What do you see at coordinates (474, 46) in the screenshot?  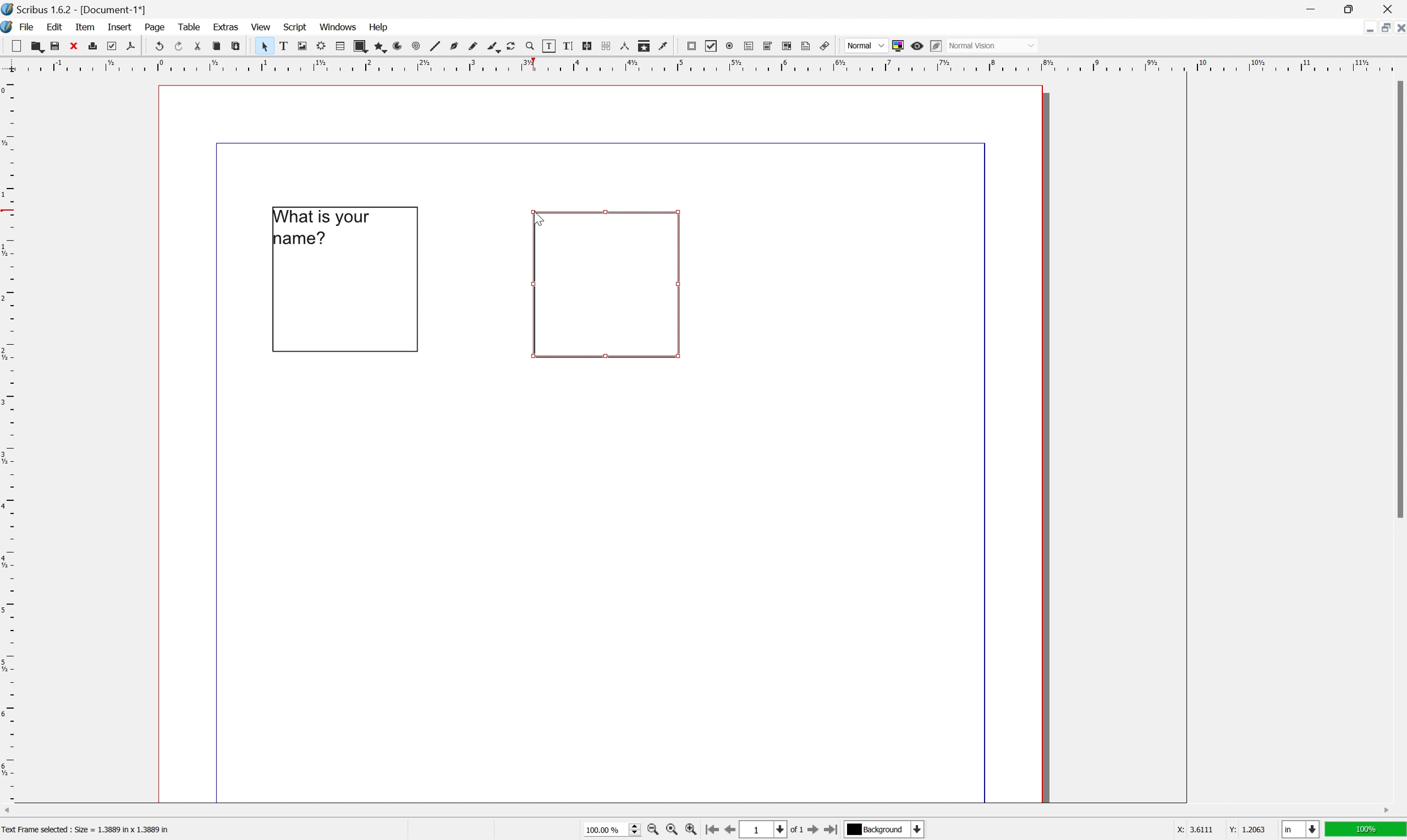 I see `freehand line` at bounding box center [474, 46].